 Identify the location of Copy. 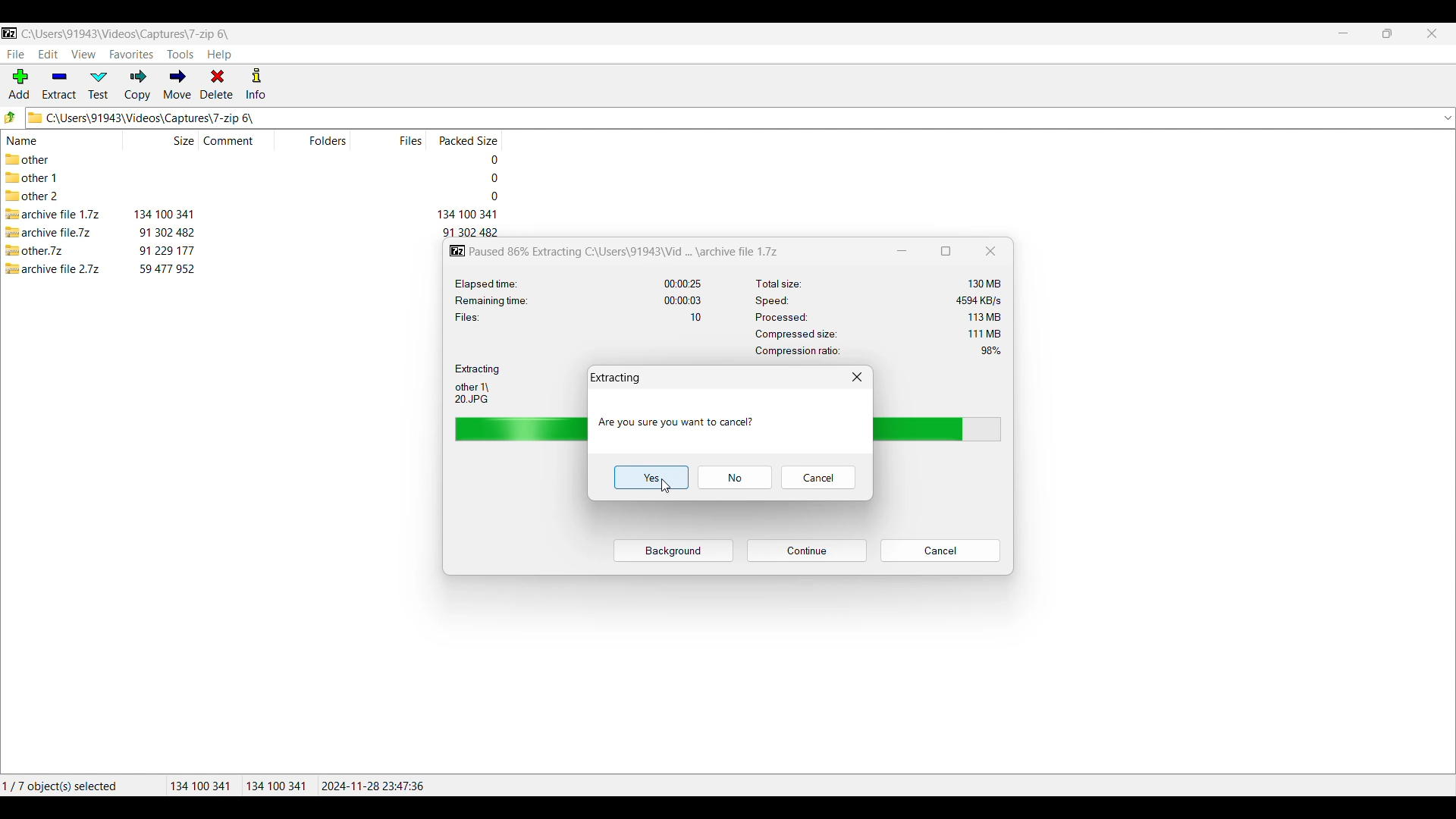
(137, 85).